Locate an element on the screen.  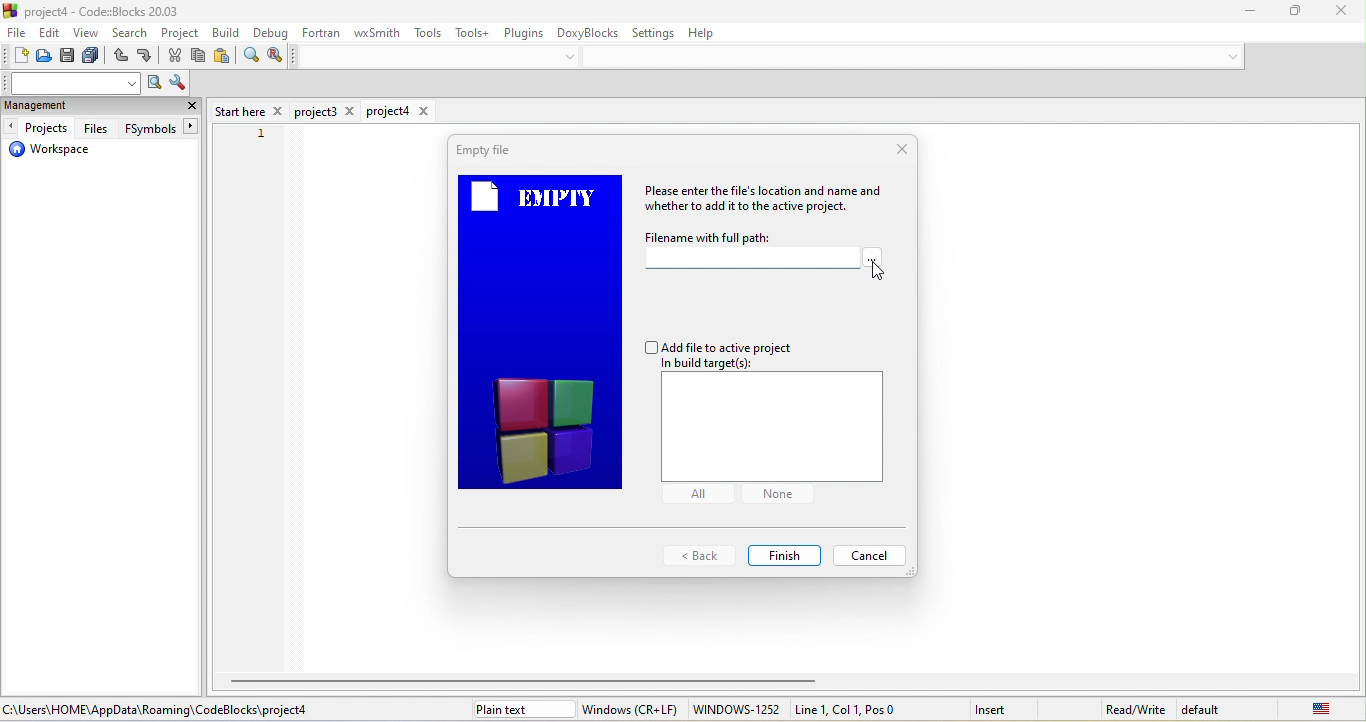
insert is located at coordinates (1003, 708).